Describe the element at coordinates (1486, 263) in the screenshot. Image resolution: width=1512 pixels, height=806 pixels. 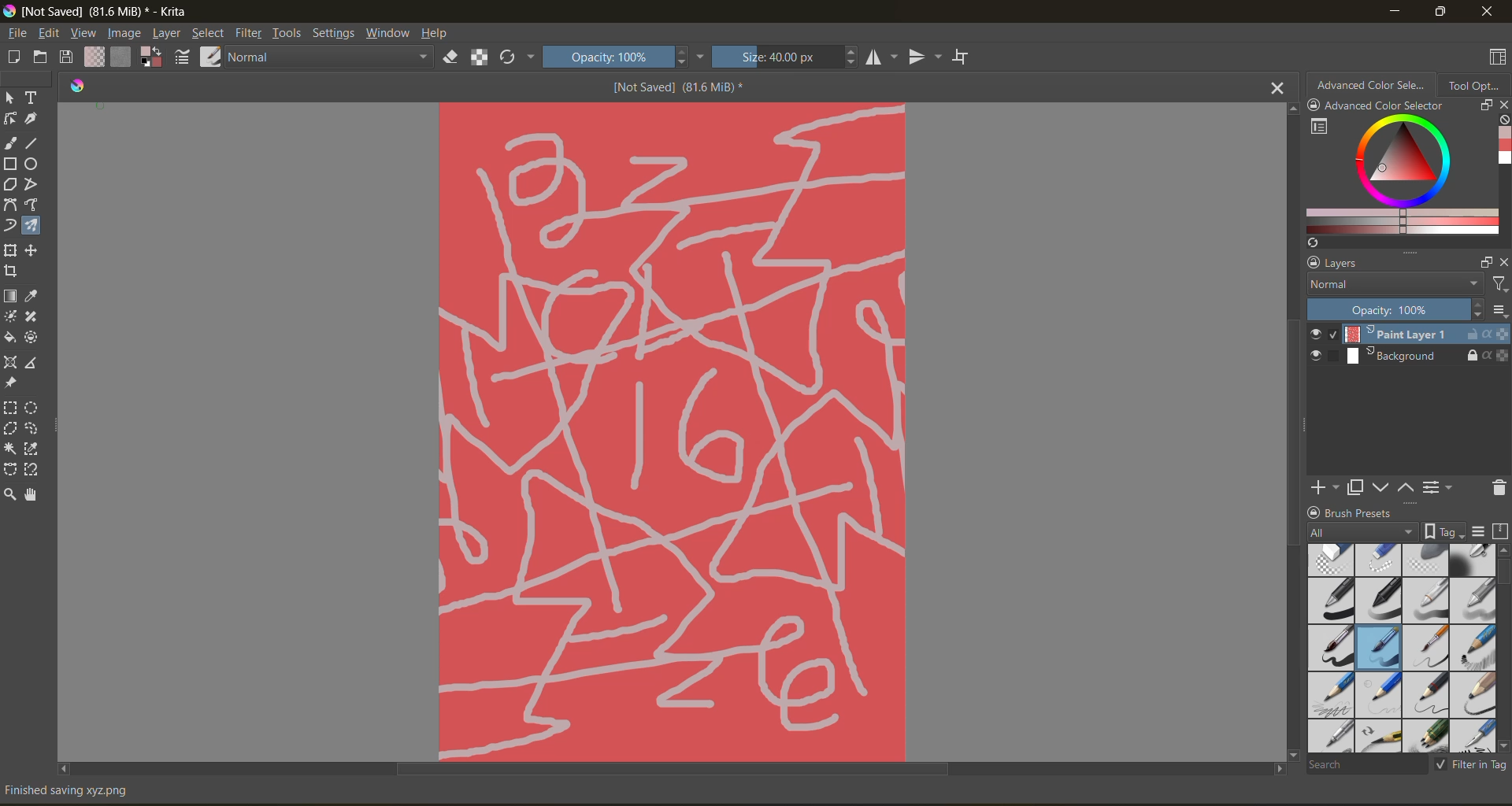
I see `float docker` at that location.